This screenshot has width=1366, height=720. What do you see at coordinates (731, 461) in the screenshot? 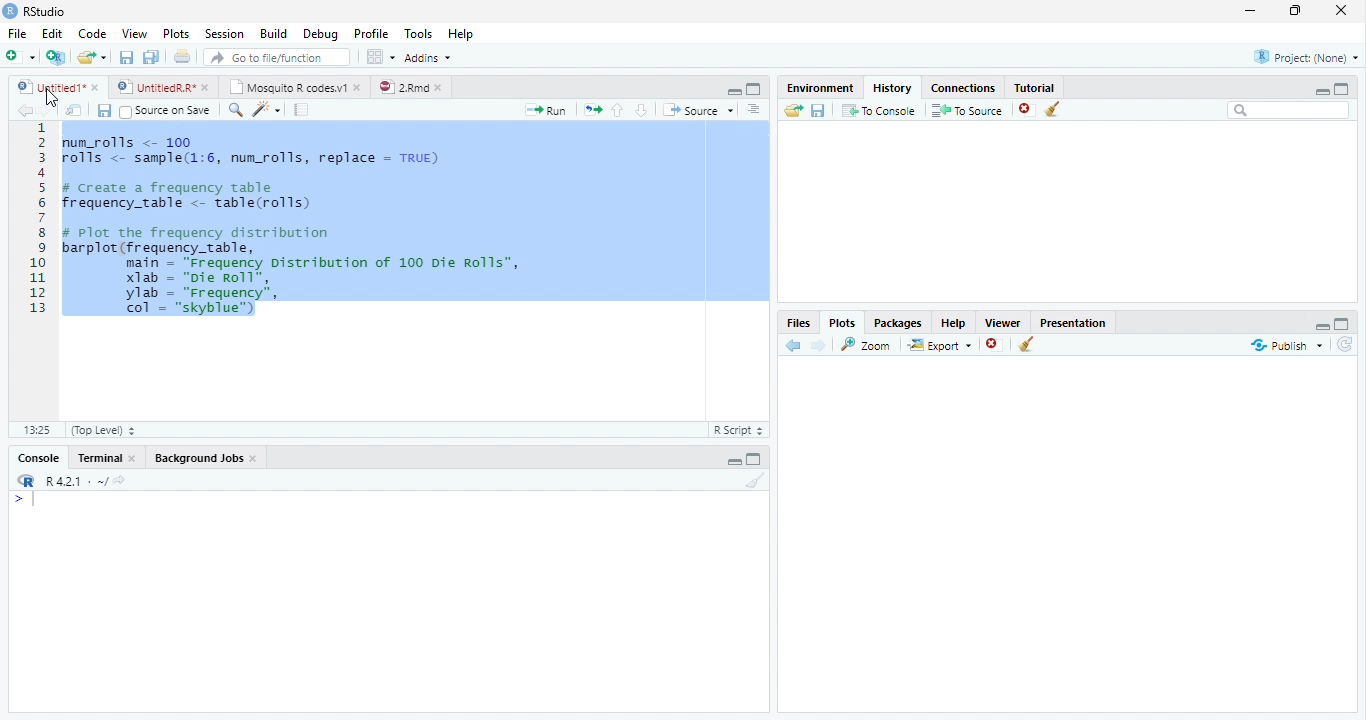
I see `Hide` at bounding box center [731, 461].